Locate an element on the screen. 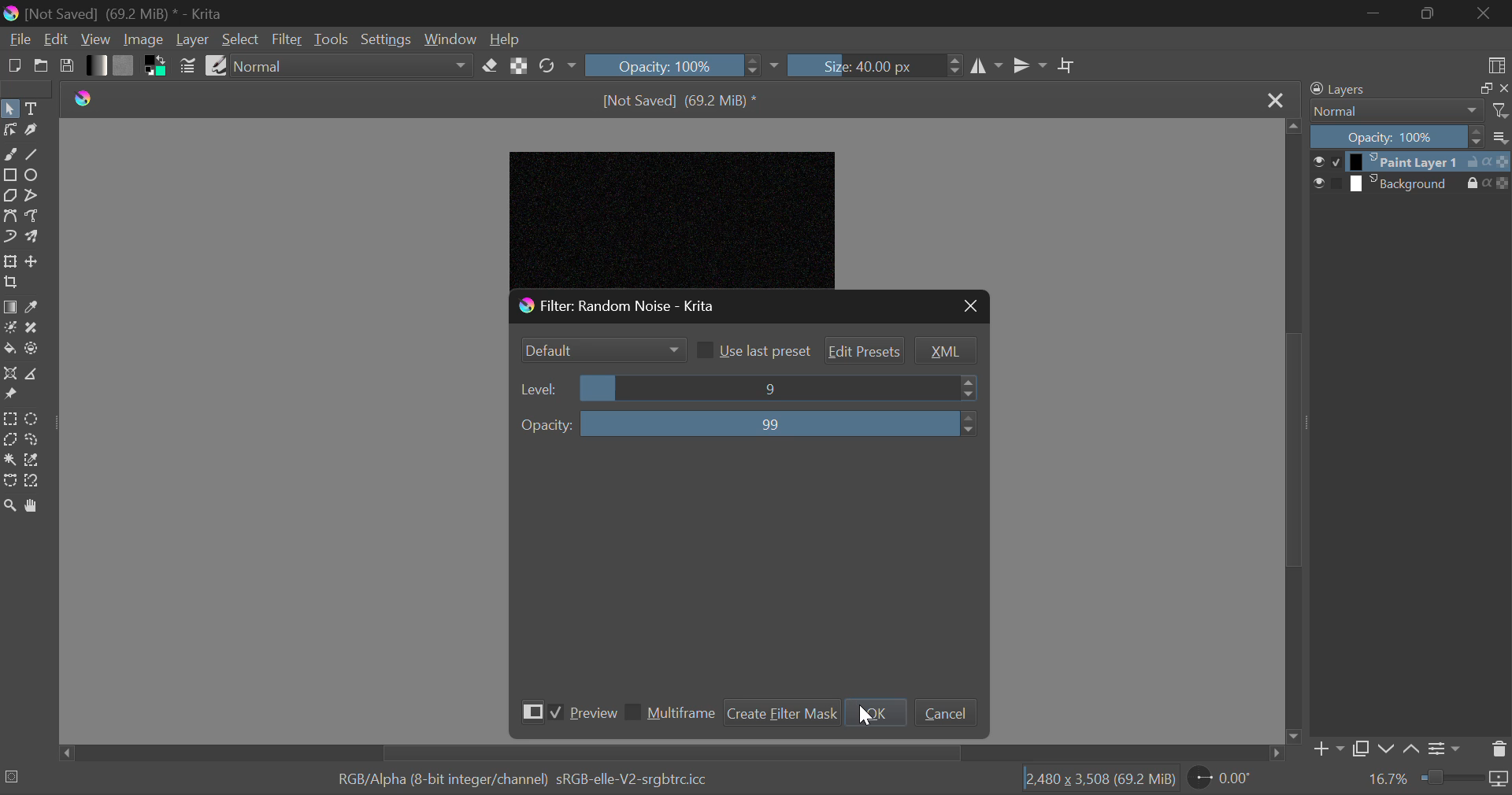  lock is located at coordinates (1462, 183).